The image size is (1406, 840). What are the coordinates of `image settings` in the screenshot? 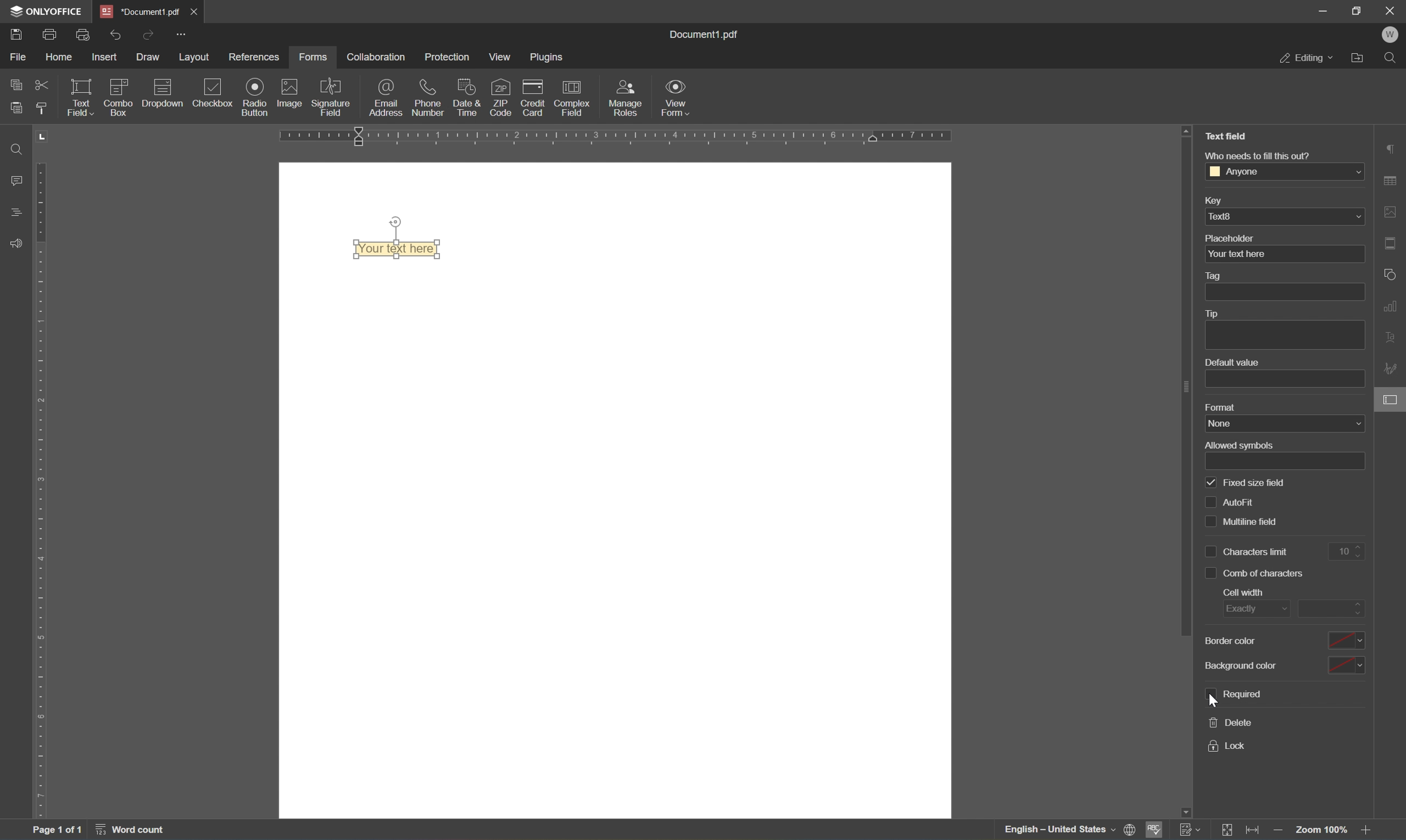 It's located at (1393, 211).